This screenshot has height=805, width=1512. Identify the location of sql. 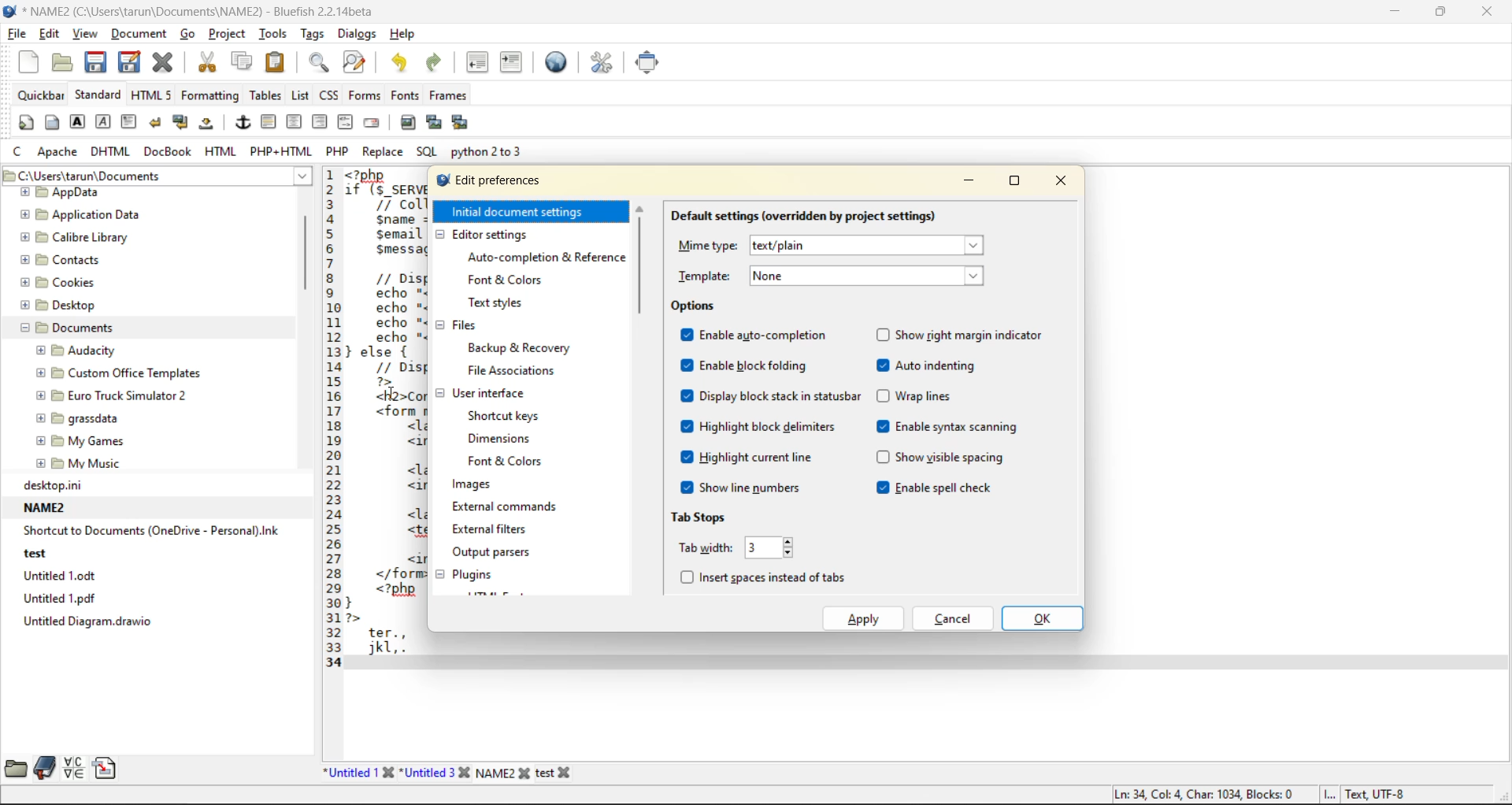
(428, 151).